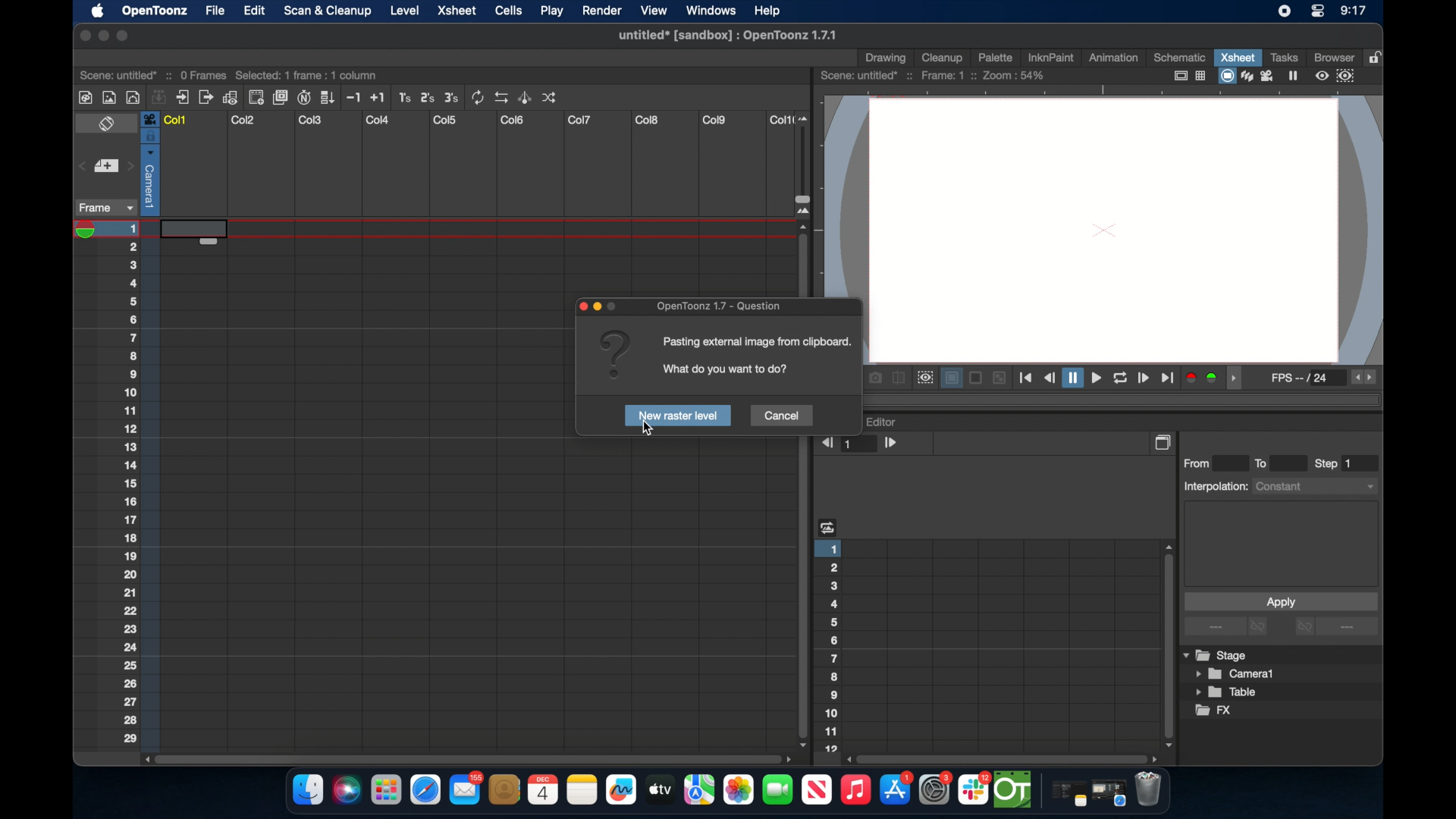 Image resolution: width=1456 pixels, height=819 pixels. What do you see at coordinates (595, 306) in the screenshot?
I see `pop up icons` at bounding box center [595, 306].